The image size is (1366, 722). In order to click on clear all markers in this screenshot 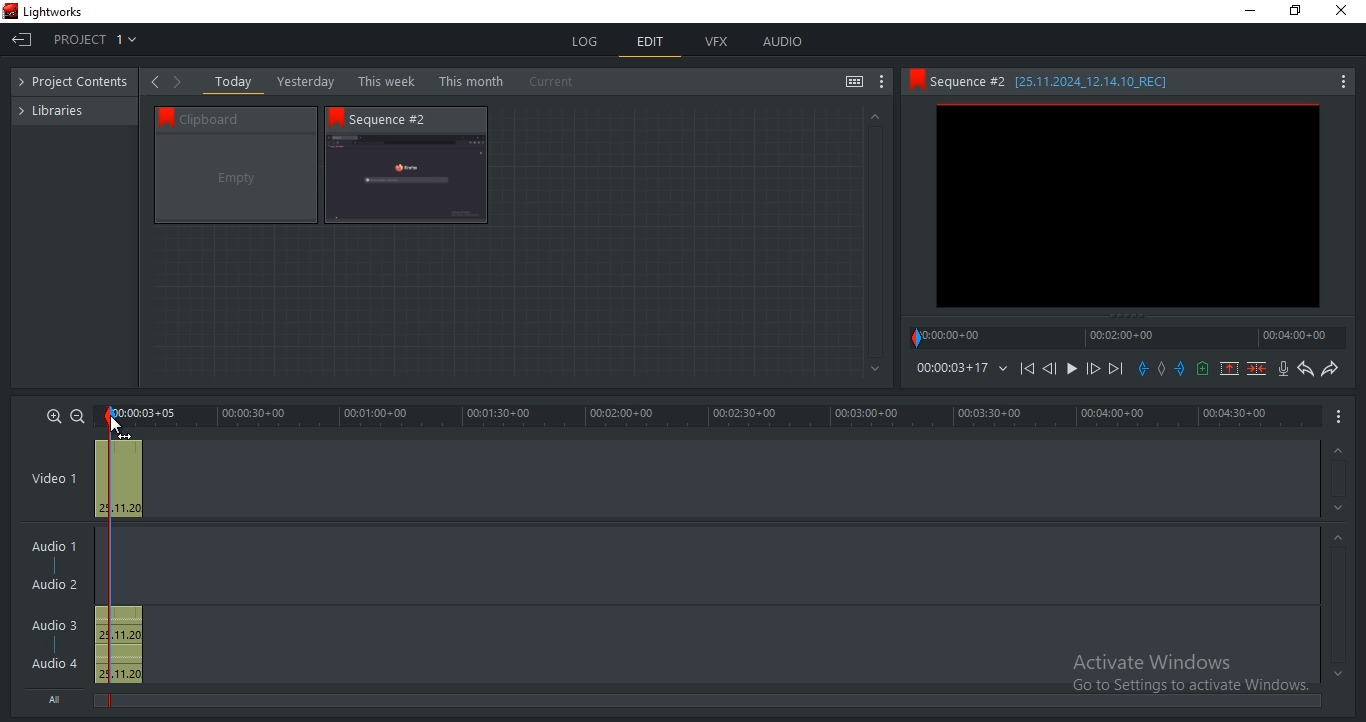, I will do `click(1165, 373)`.